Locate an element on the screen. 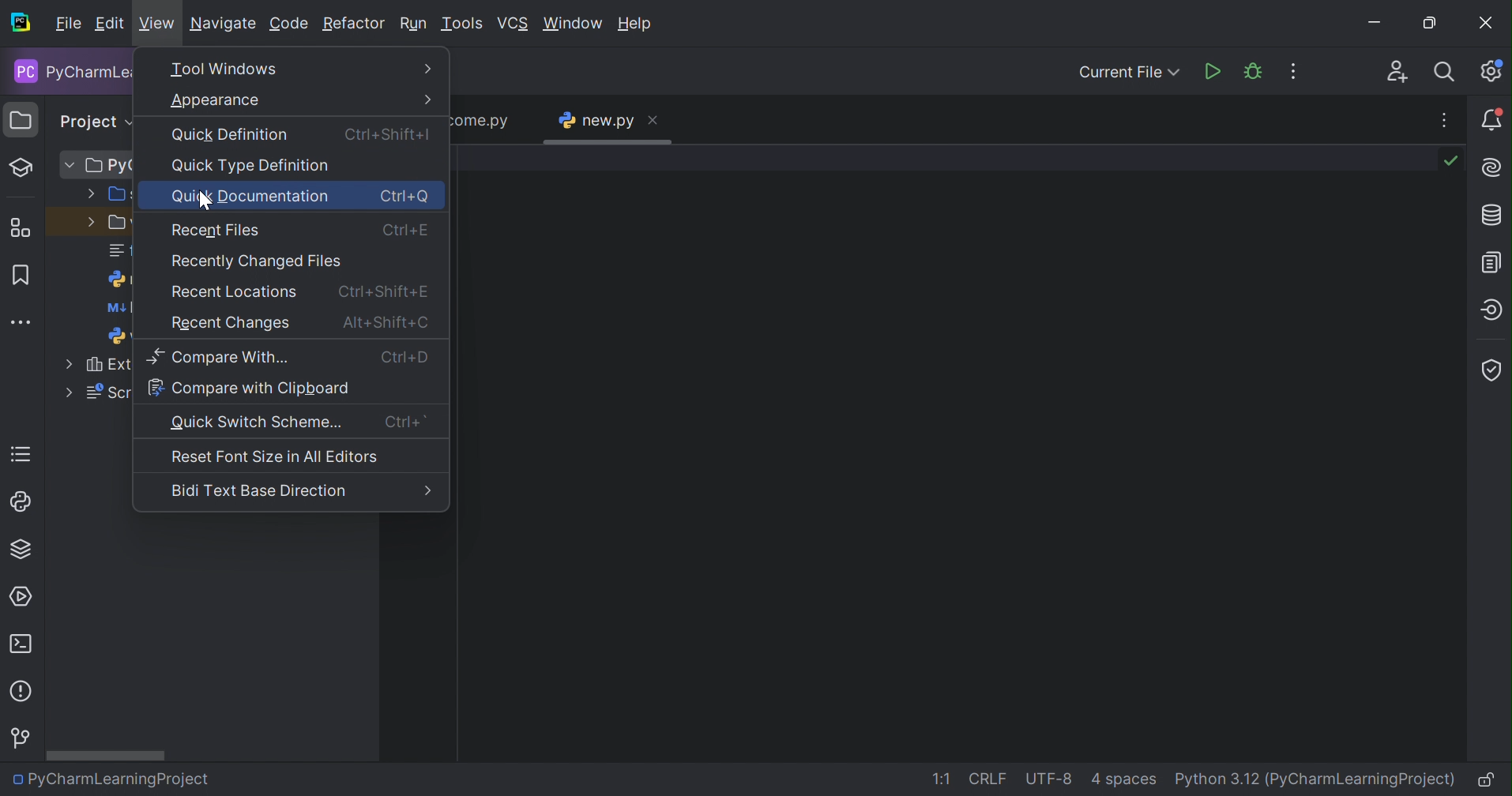 The image size is (1512, 796). VCS is located at coordinates (515, 24).